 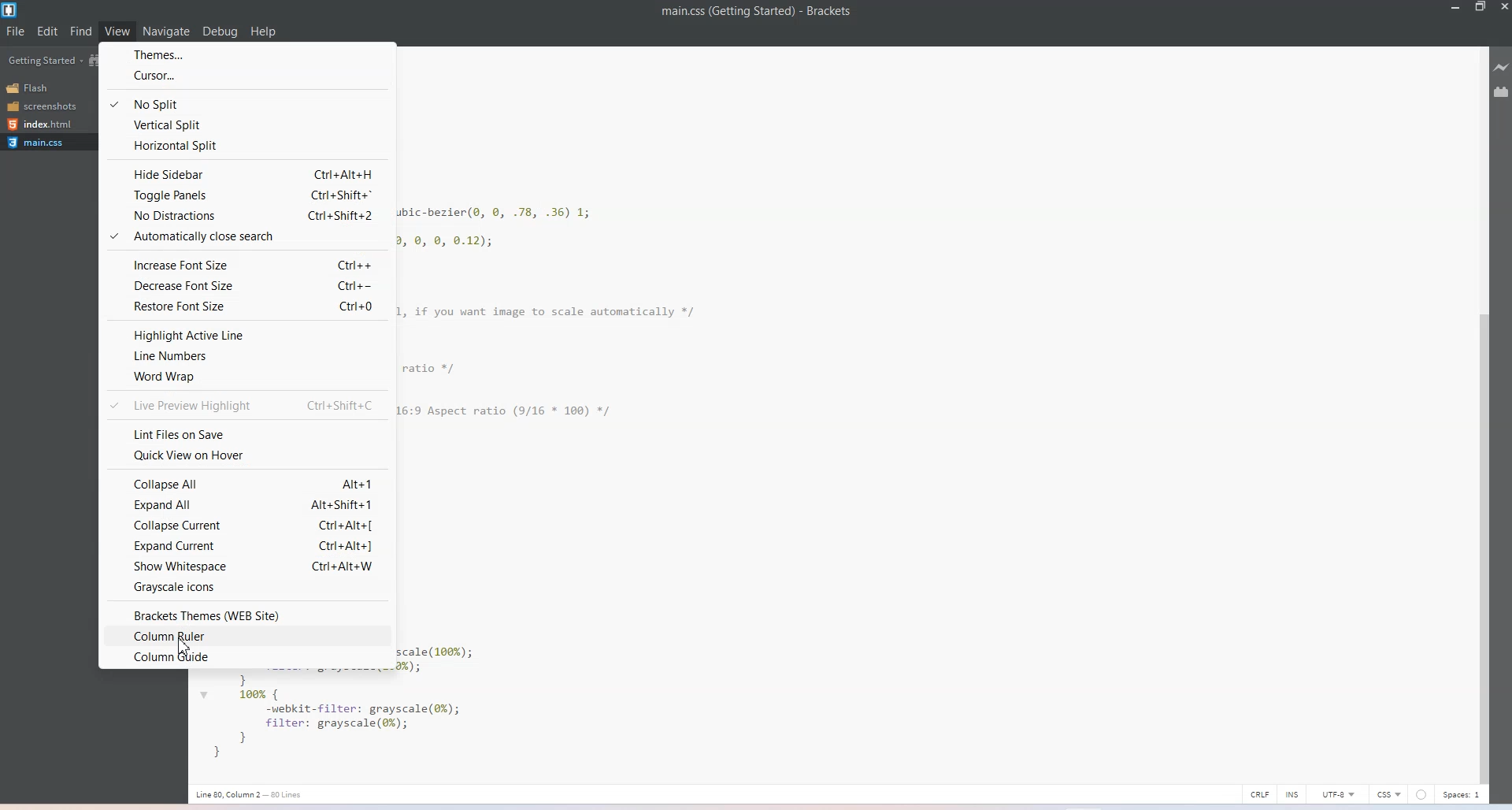 I want to click on Increase font size, so click(x=245, y=262).